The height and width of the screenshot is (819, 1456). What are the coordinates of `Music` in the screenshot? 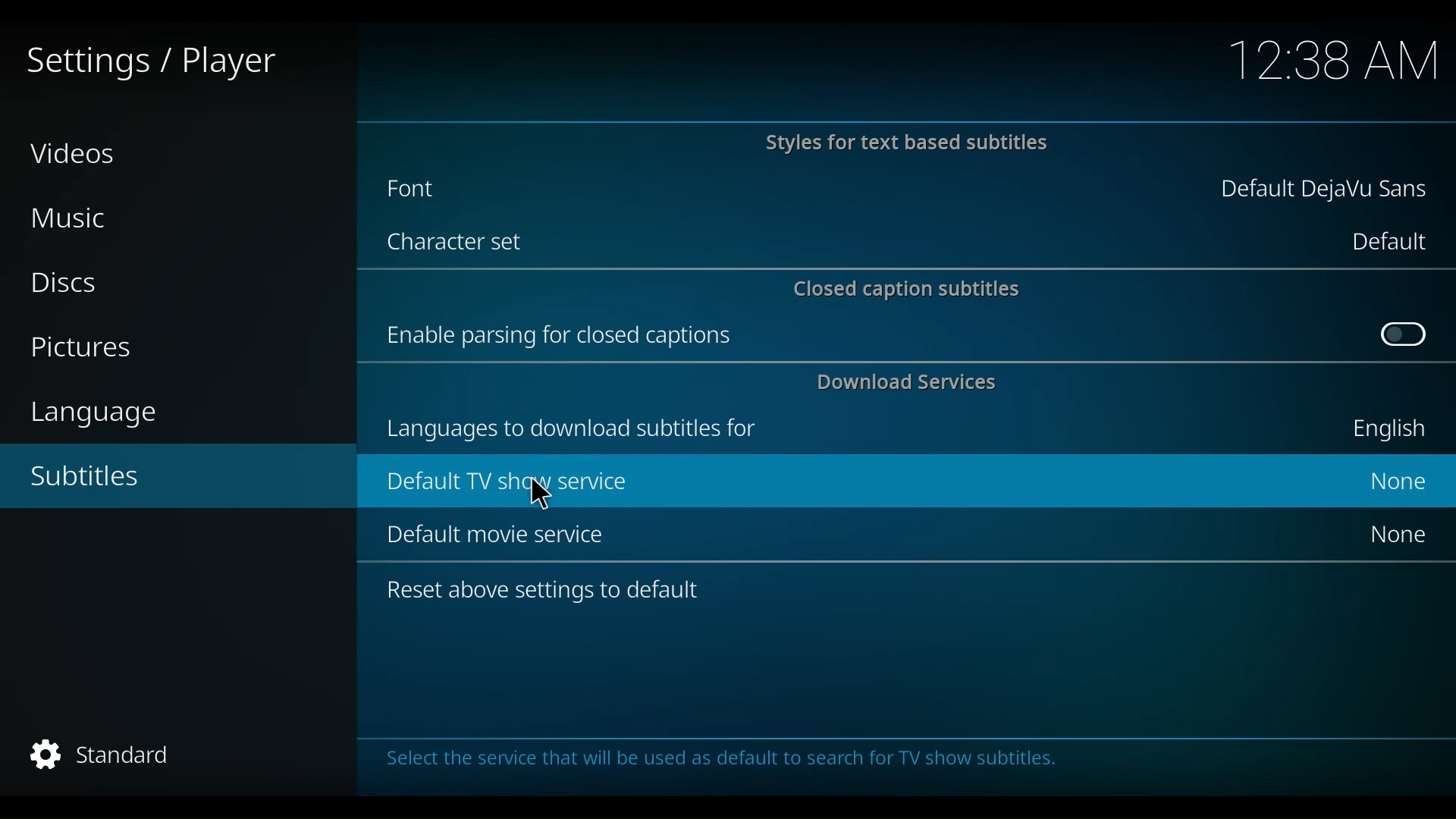 It's located at (76, 219).